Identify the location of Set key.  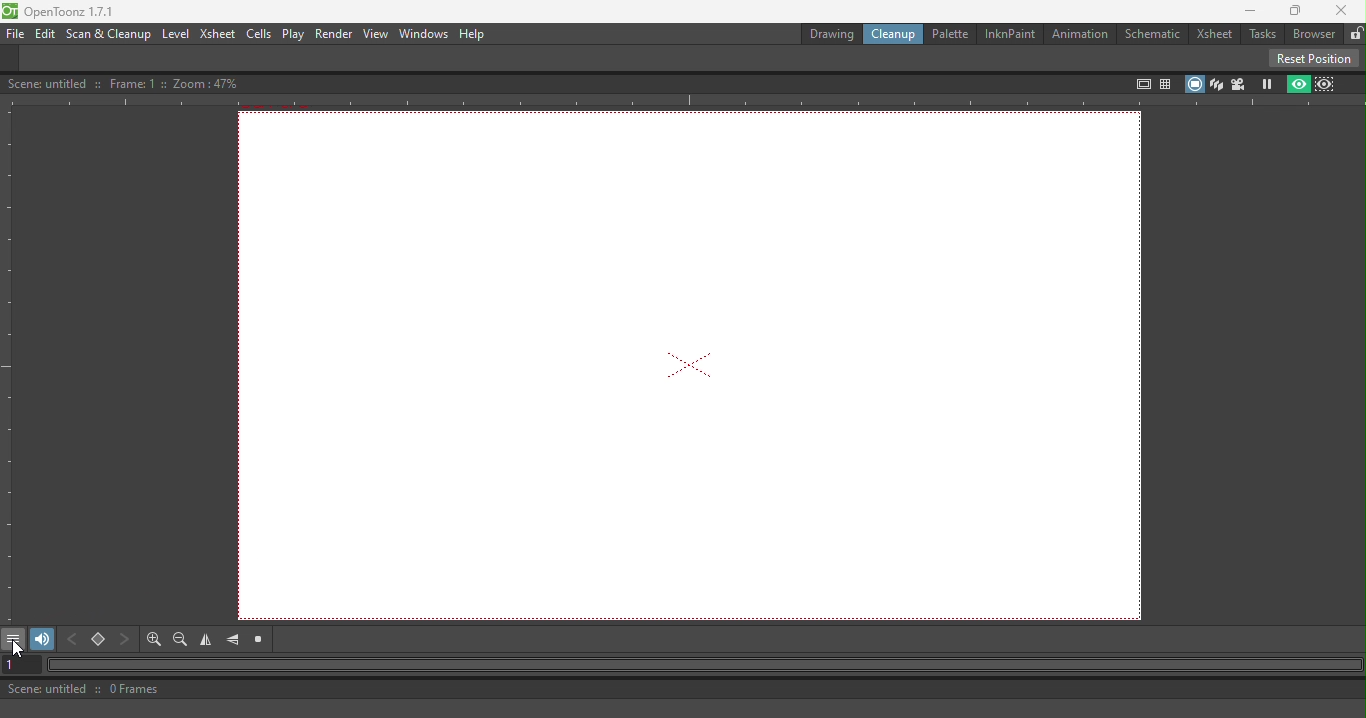
(99, 641).